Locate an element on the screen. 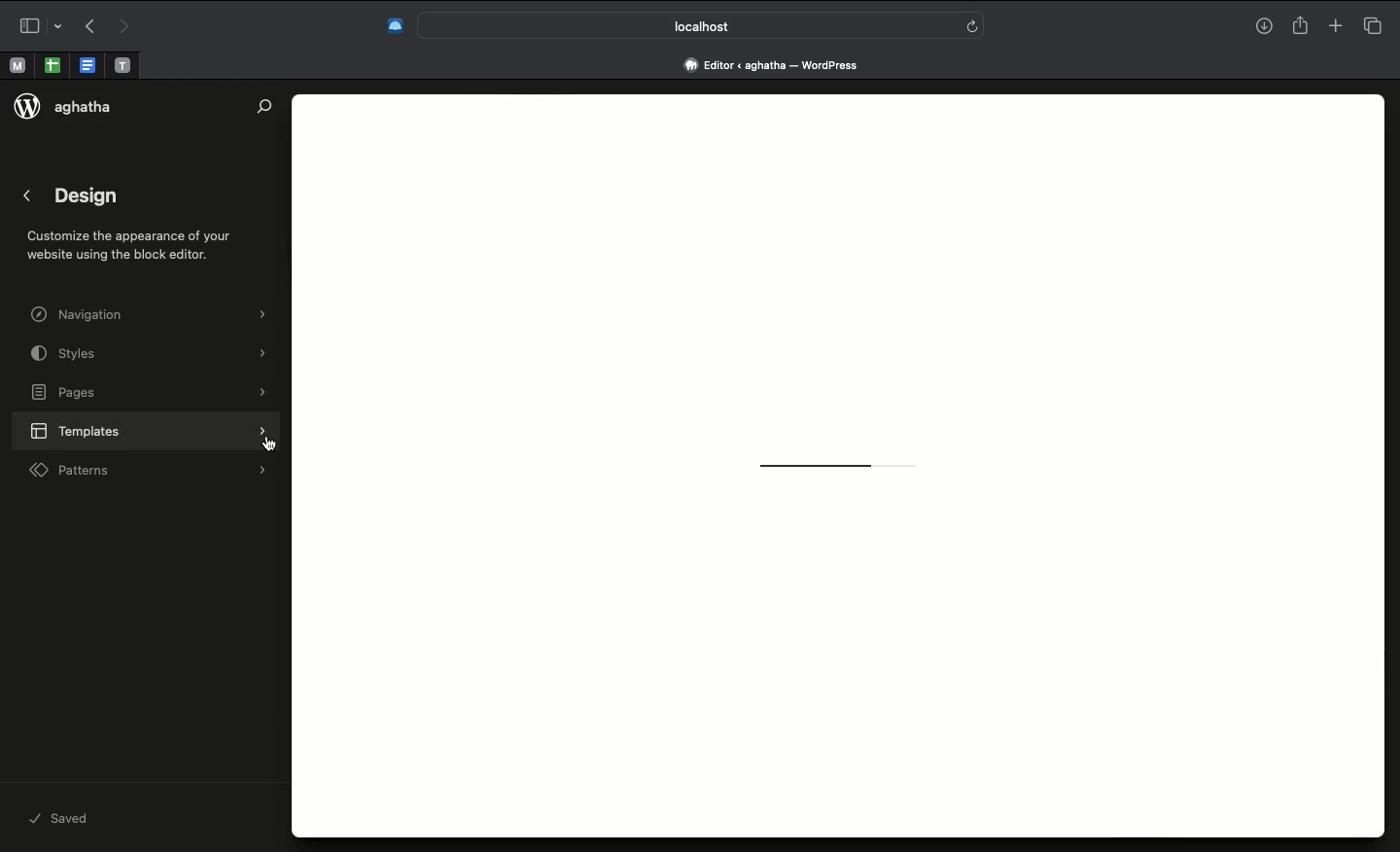 This screenshot has height=852, width=1400. Pages is located at coordinates (153, 396).